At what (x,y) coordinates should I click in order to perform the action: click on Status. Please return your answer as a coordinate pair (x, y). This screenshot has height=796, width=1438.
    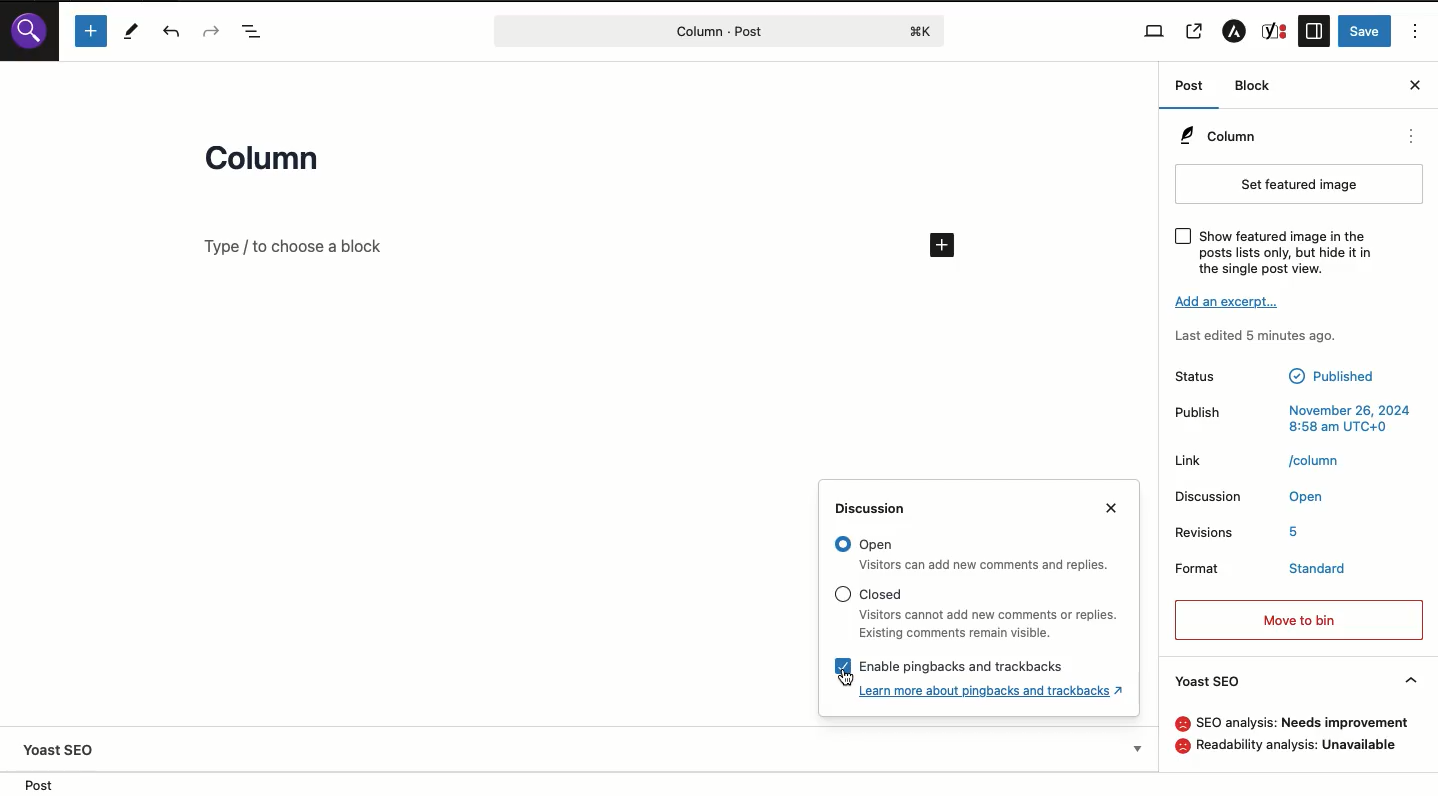
    Looking at the image, I should click on (1202, 375).